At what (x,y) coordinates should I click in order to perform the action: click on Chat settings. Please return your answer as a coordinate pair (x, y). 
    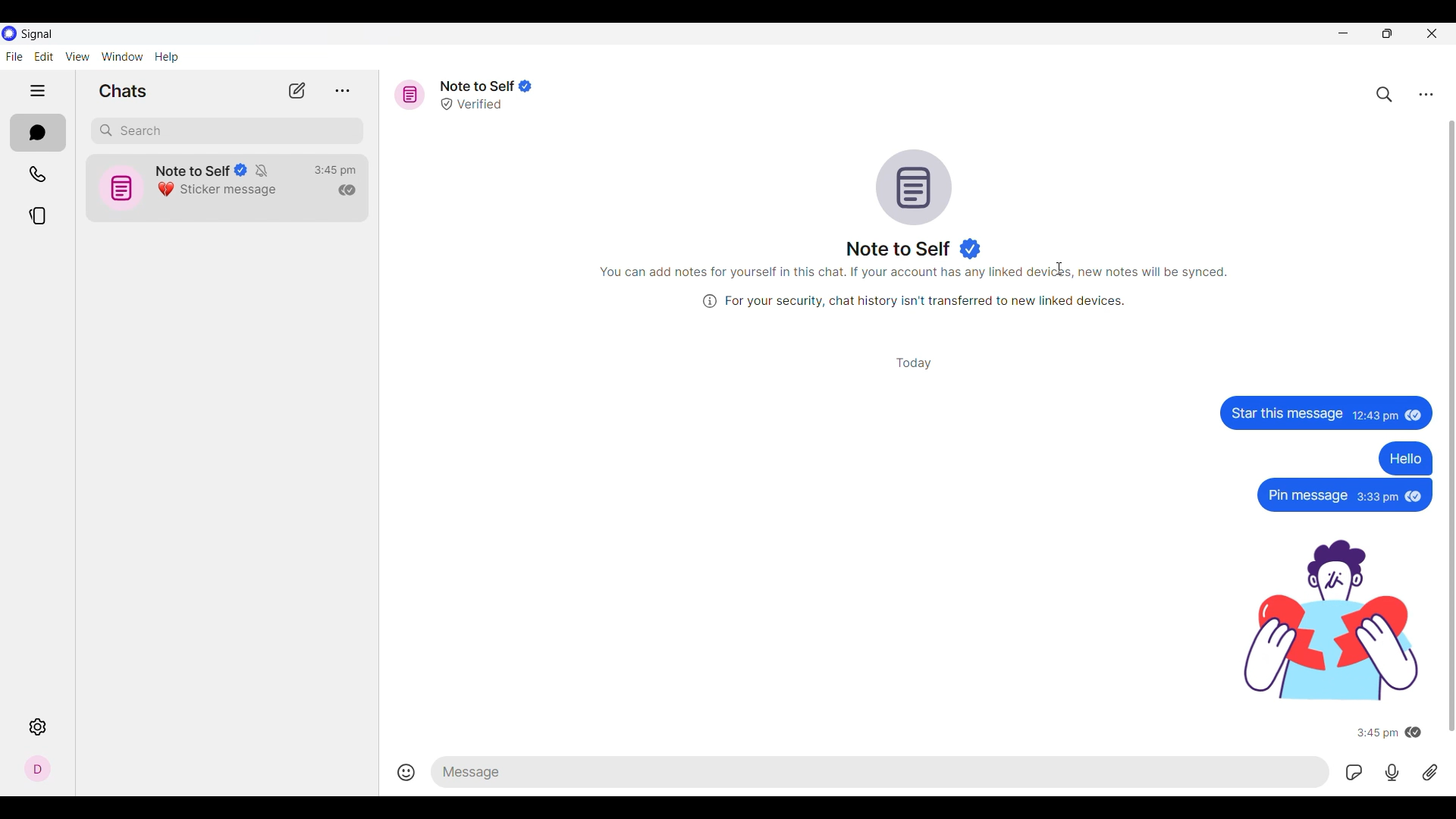
    Looking at the image, I should click on (1427, 93).